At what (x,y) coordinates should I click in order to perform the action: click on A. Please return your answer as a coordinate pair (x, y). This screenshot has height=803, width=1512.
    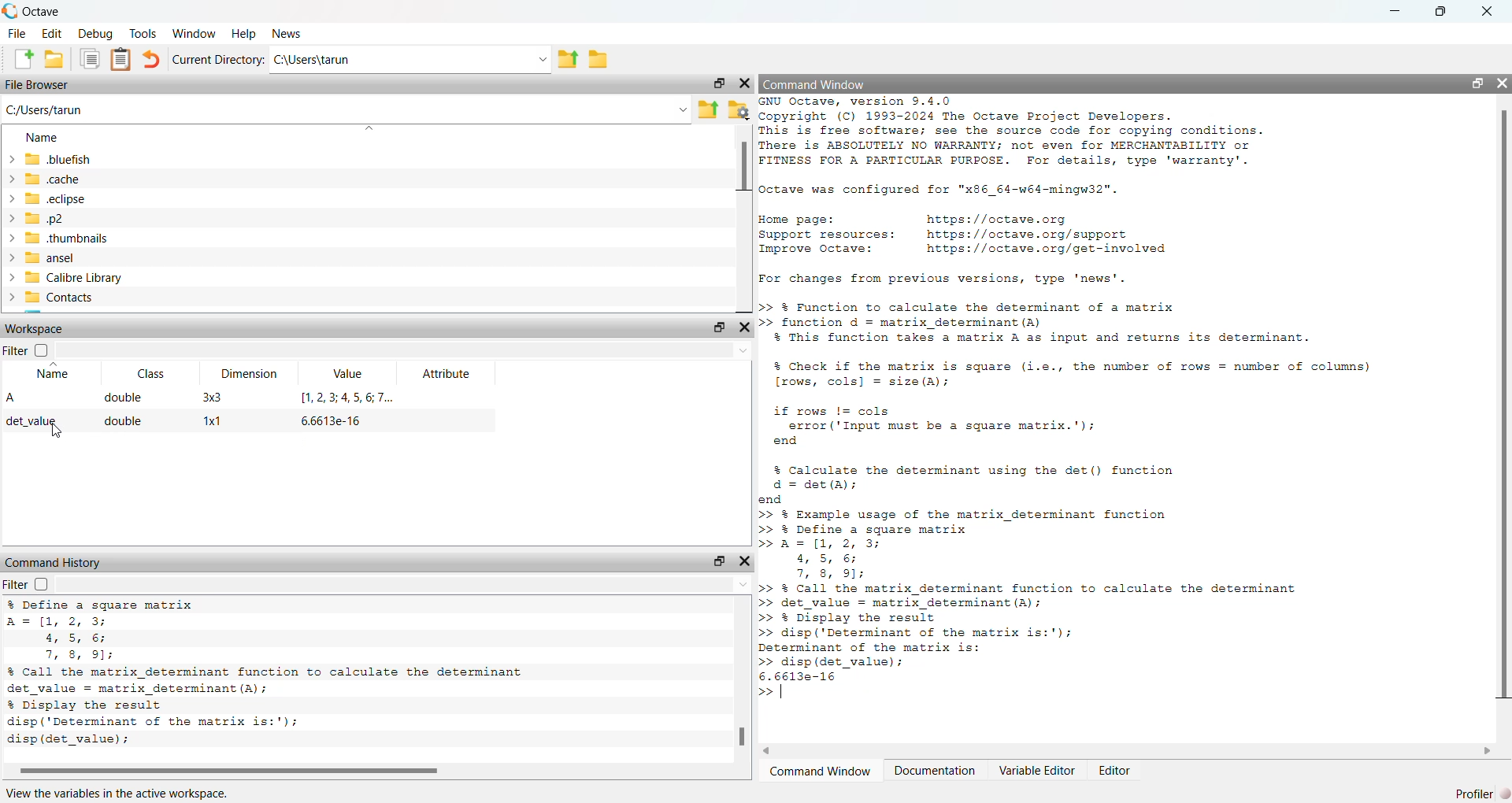
    Looking at the image, I should click on (12, 398).